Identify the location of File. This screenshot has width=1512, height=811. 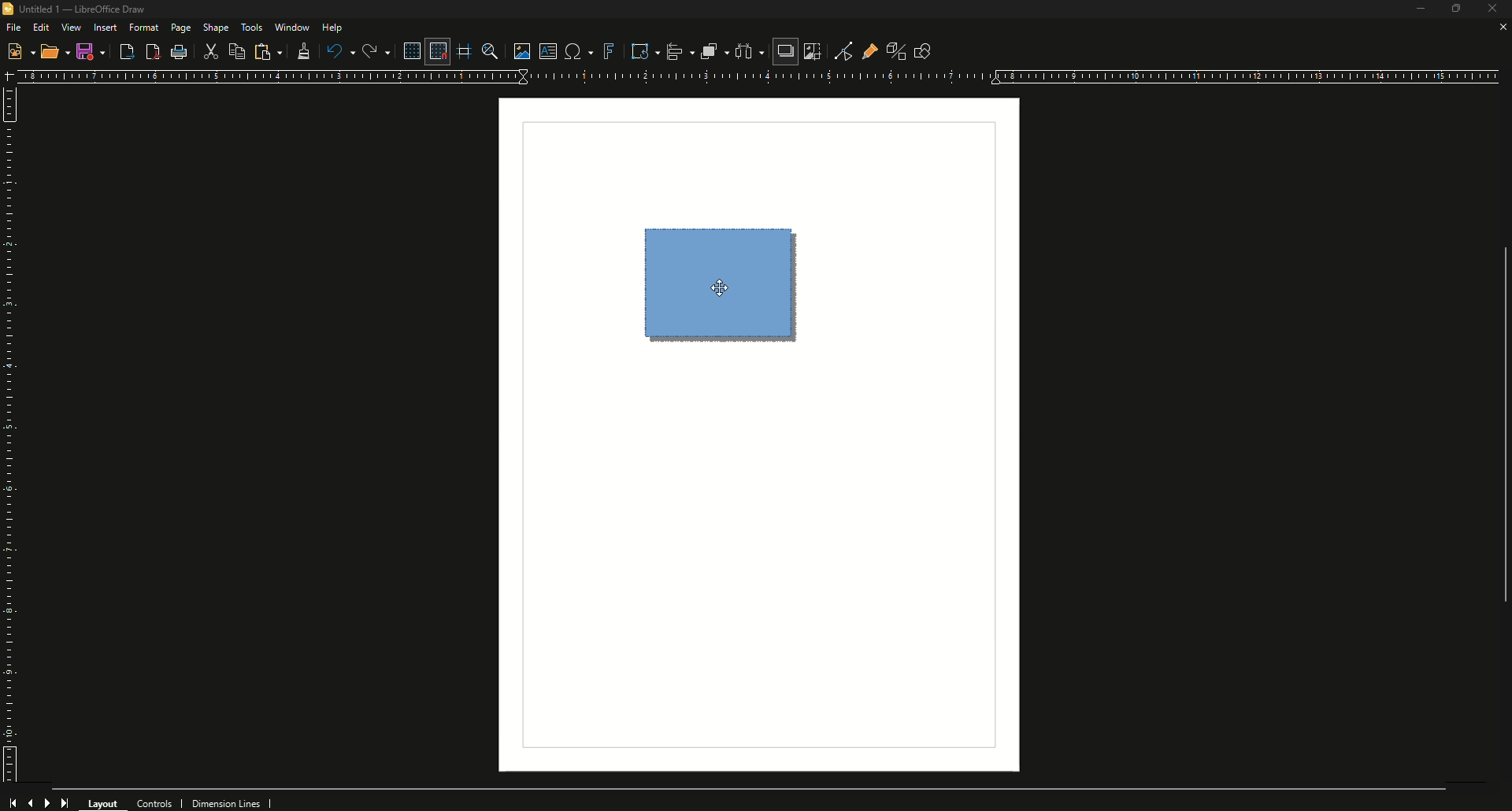
(13, 27).